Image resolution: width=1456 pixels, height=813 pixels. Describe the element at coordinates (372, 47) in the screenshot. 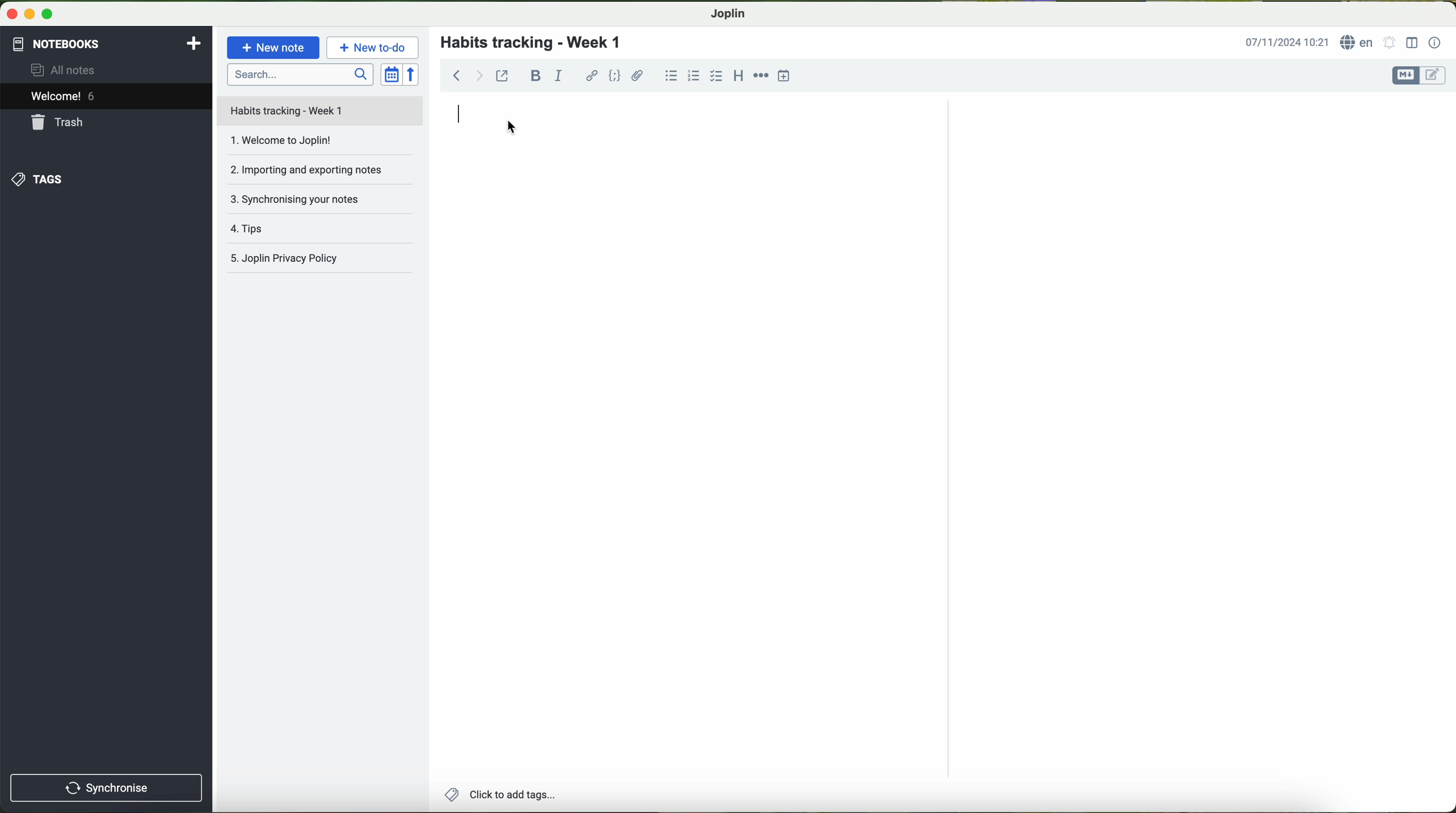

I see `new to-do button` at that location.